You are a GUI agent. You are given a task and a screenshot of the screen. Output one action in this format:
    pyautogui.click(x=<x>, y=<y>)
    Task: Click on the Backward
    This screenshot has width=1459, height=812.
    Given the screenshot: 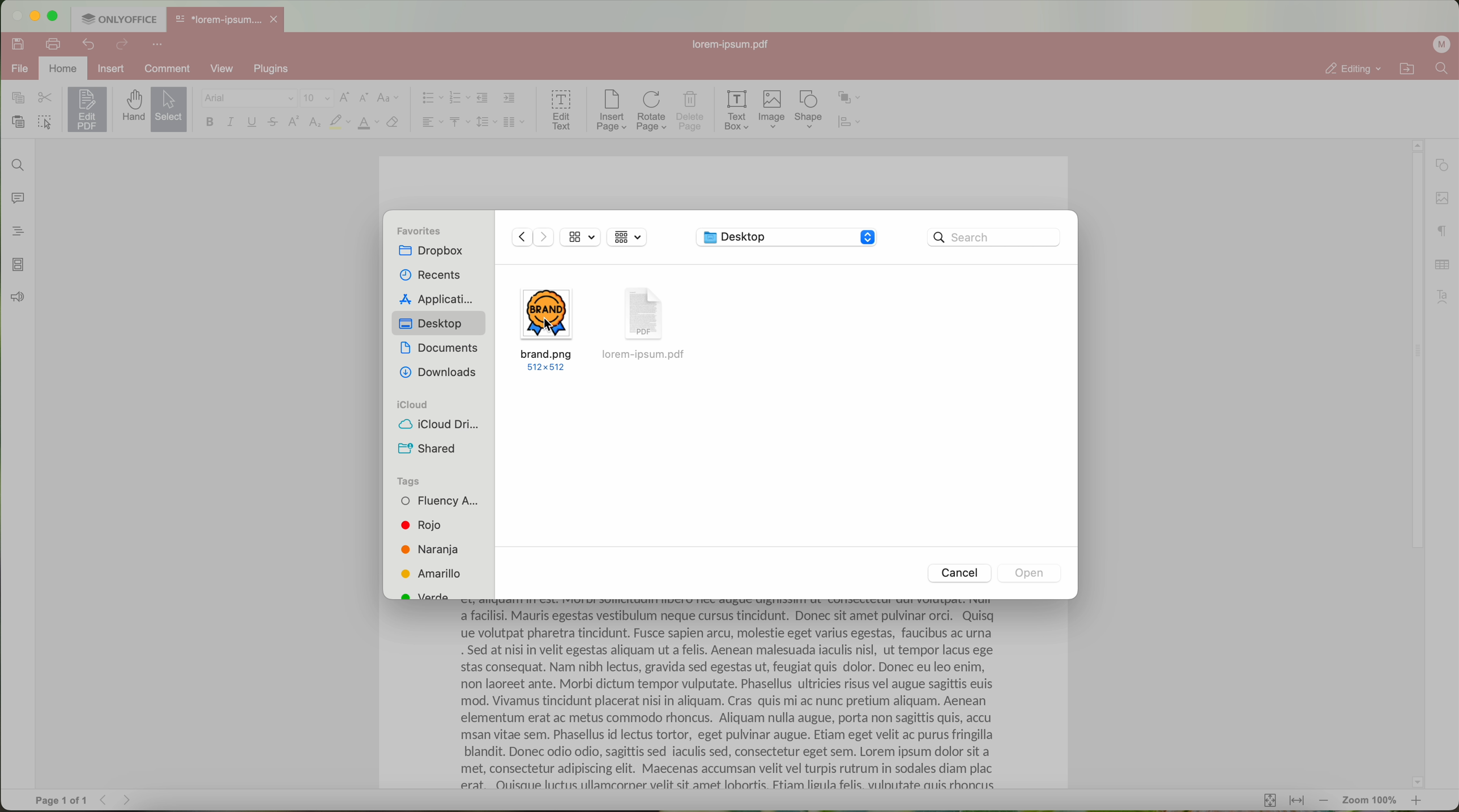 What is the action you would take?
    pyautogui.click(x=519, y=236)
    